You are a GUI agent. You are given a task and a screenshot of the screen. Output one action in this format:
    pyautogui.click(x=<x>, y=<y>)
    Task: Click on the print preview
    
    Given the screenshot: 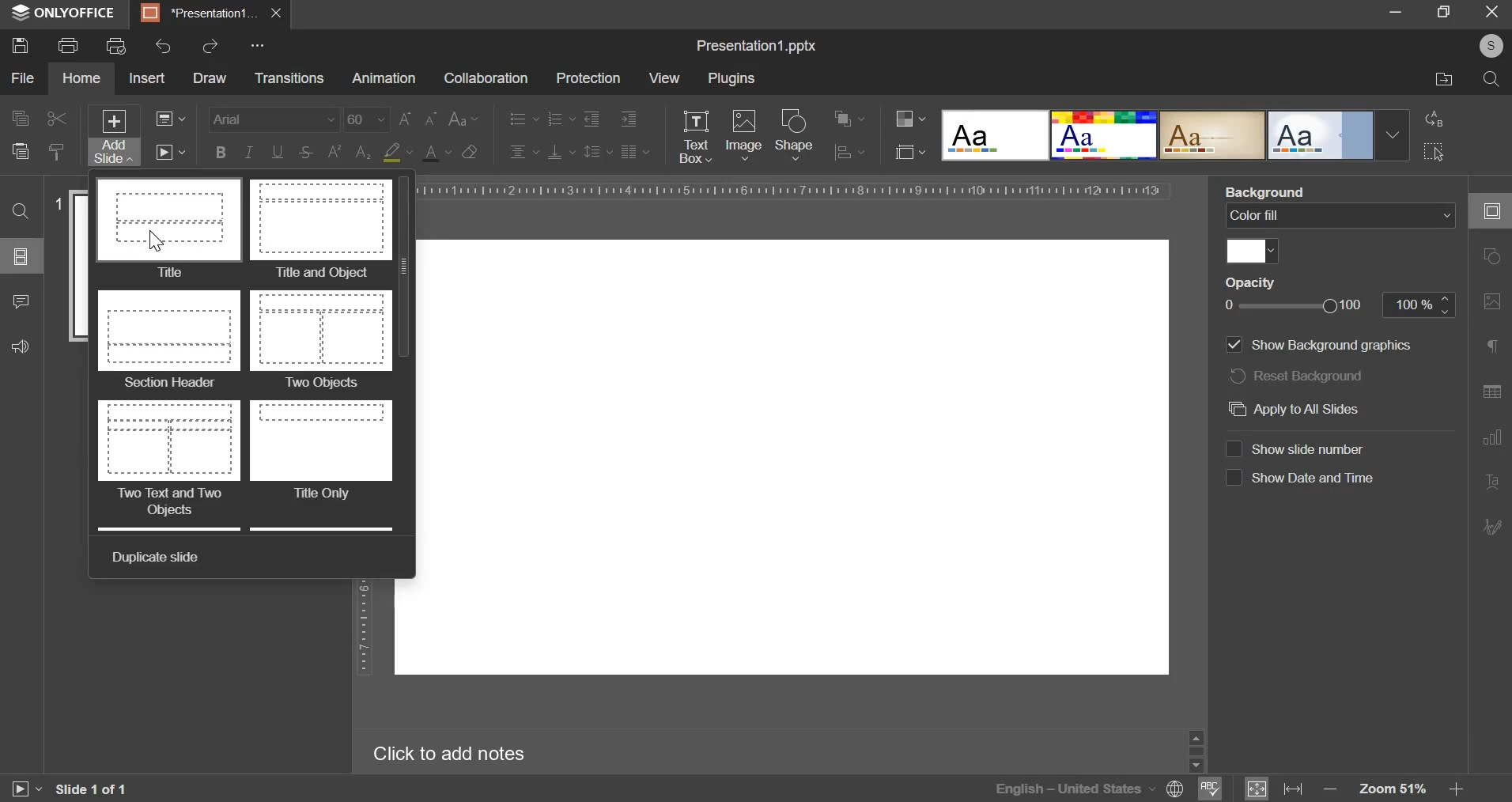 What is the action you would take?
    pyautogui.click(x=116, y=46)
    